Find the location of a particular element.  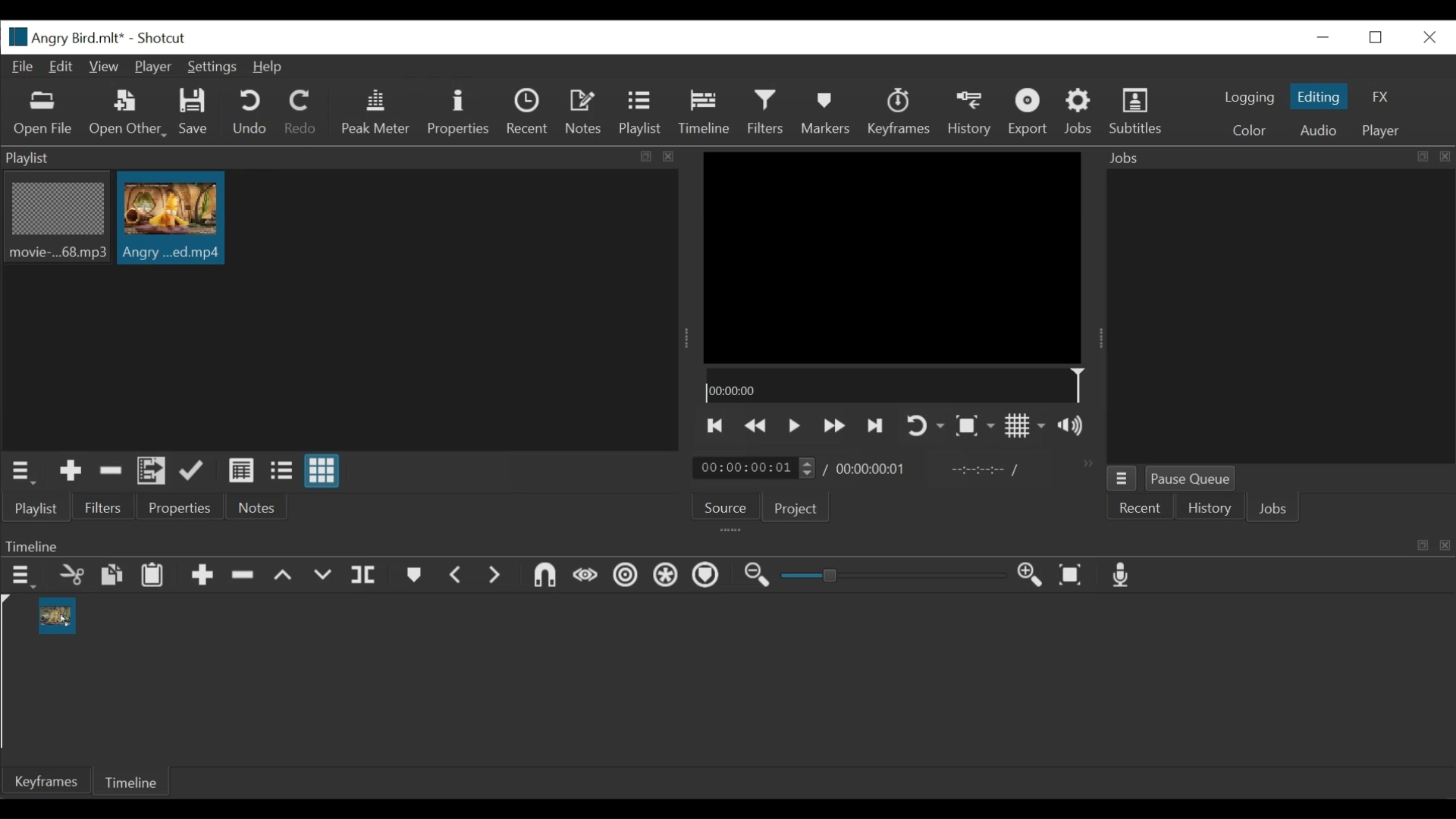

Recent is located at coordinates (529, 114).